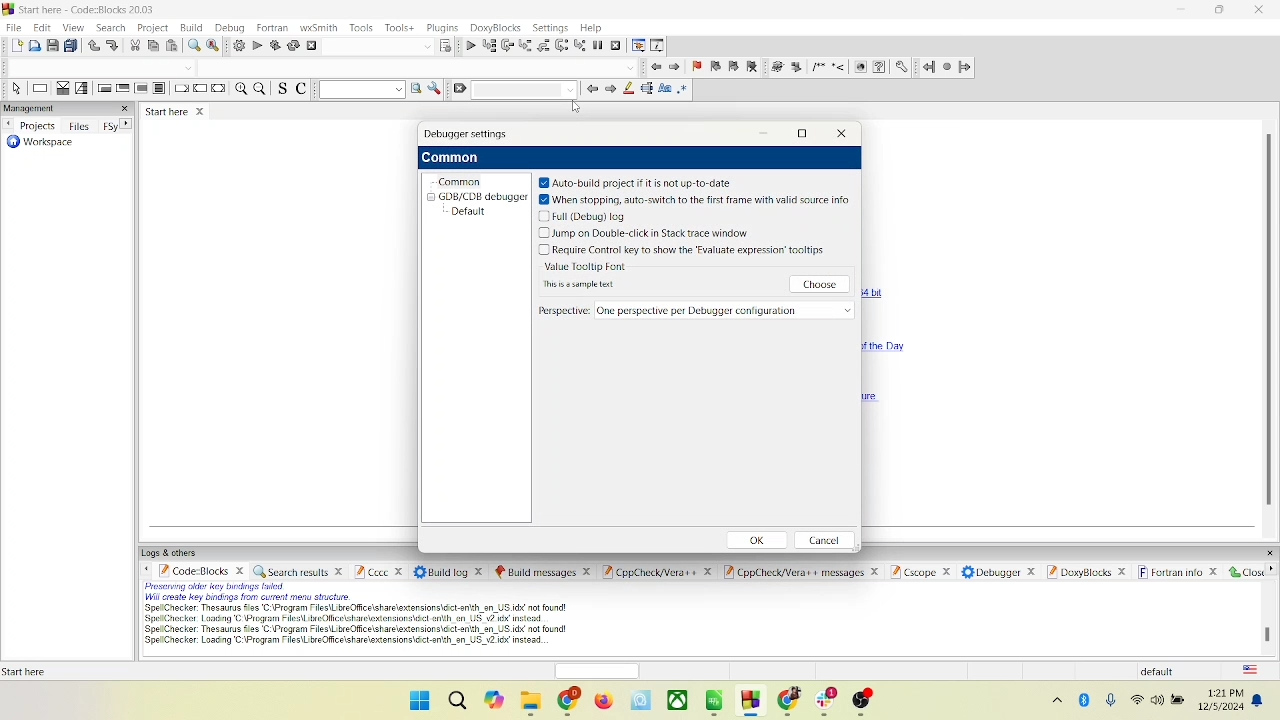  What do you see at coordinates (800, 134) in the screenshot?
I see `maximize` at bounding box center [800, 134].